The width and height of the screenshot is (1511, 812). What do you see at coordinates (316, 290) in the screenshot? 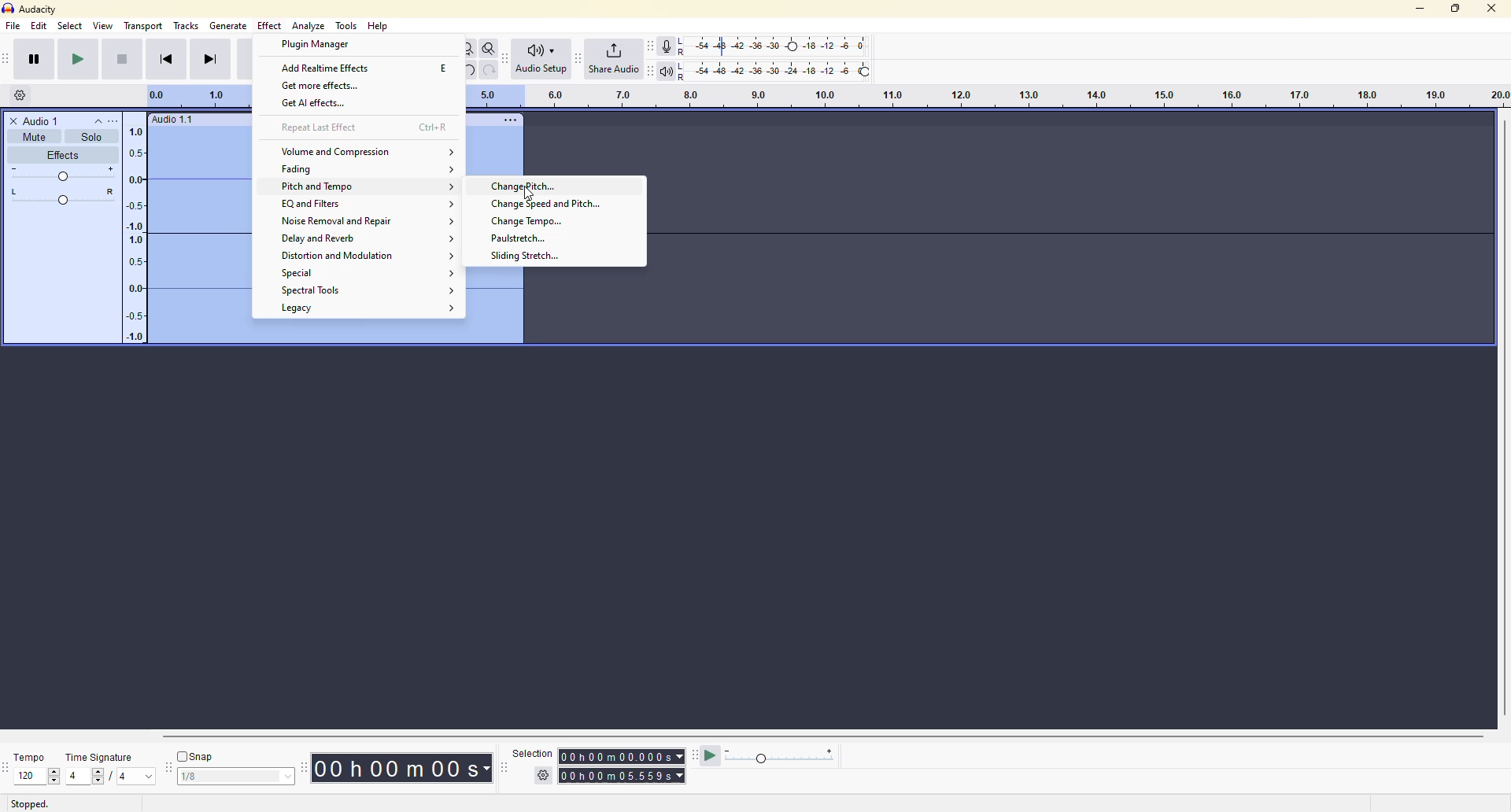
I see `spectral tools` at bounding box center [316, 290].